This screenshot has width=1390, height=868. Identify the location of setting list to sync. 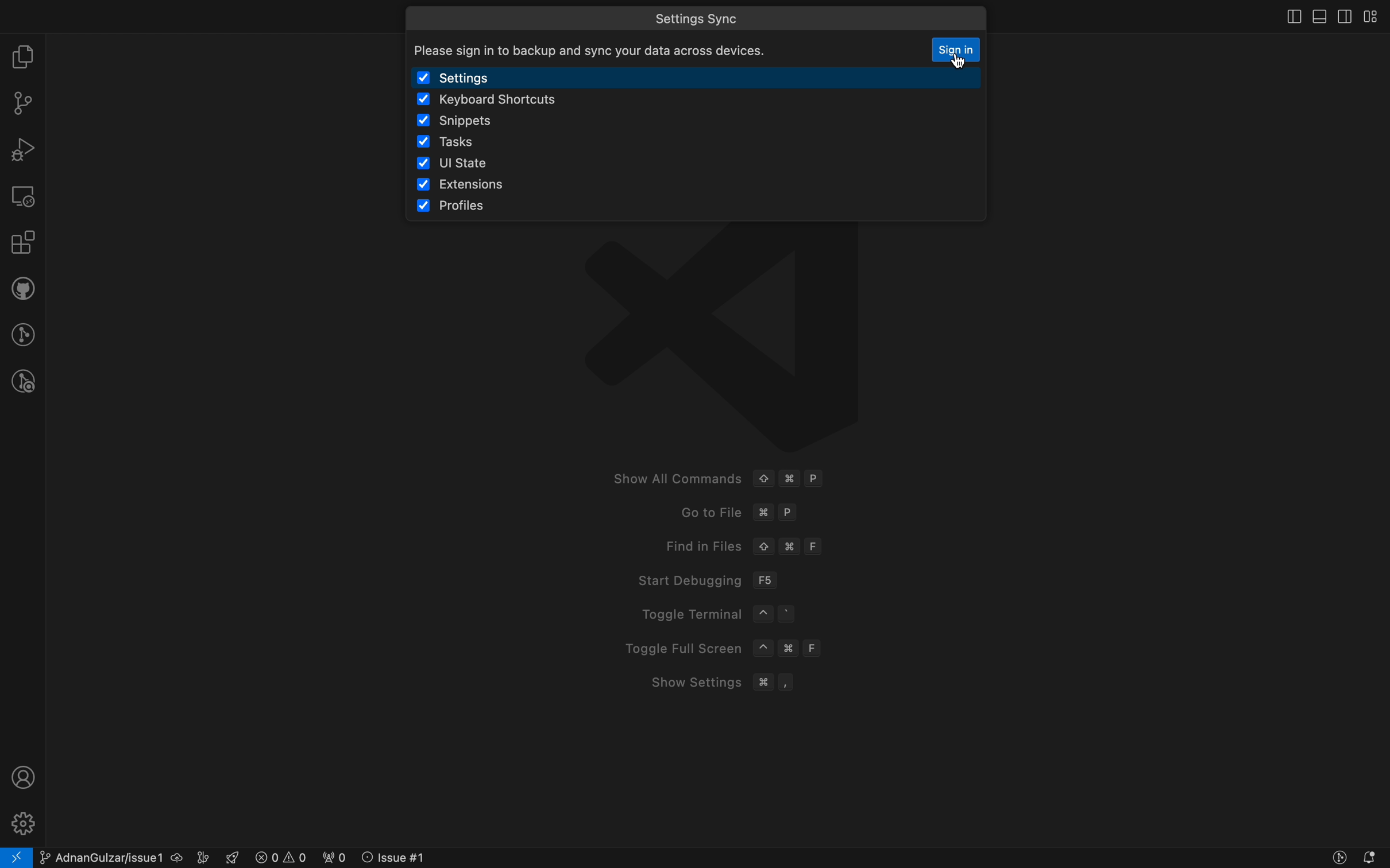
(701, 78).